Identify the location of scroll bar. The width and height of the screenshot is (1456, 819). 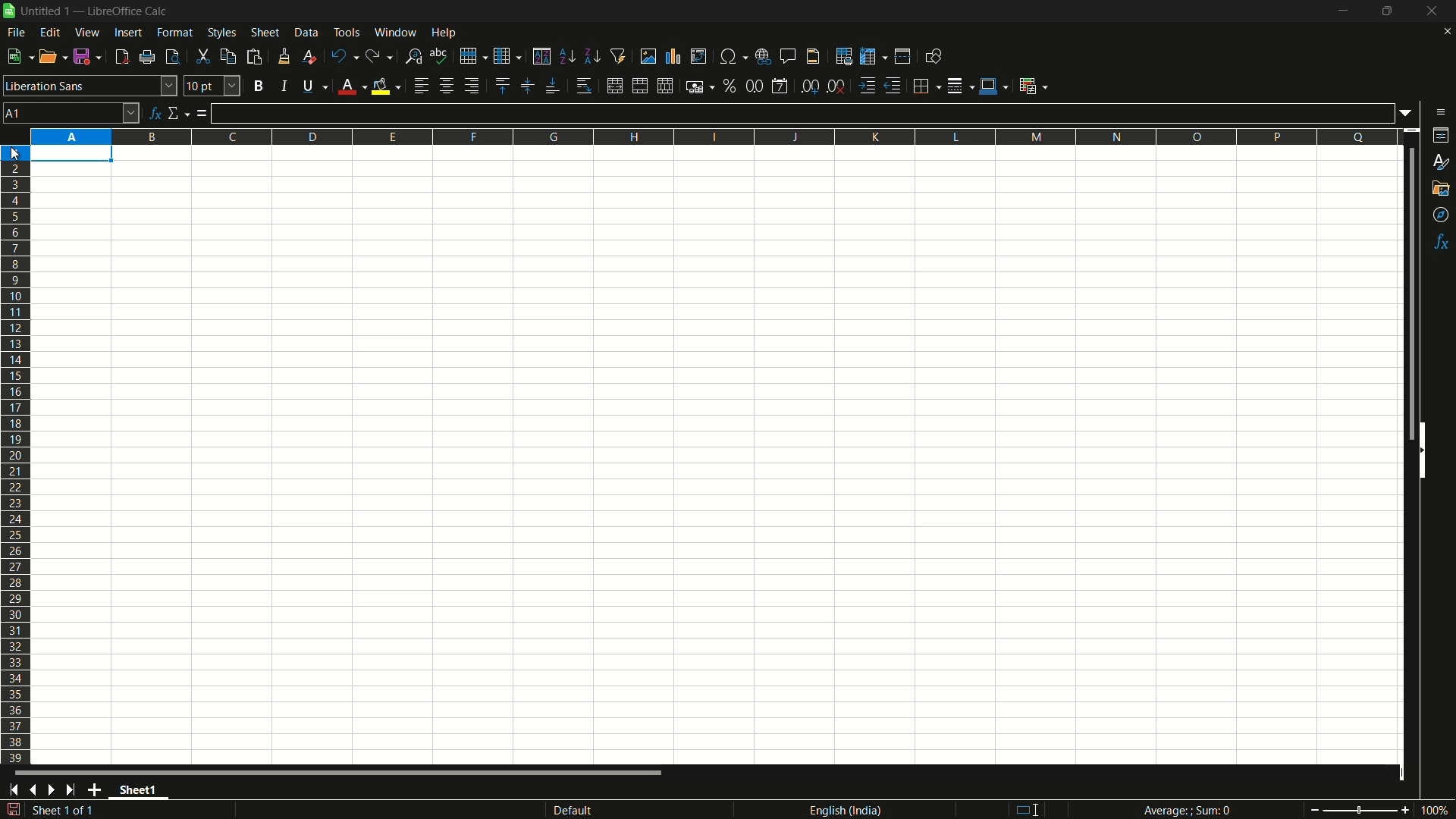
(340, 775).